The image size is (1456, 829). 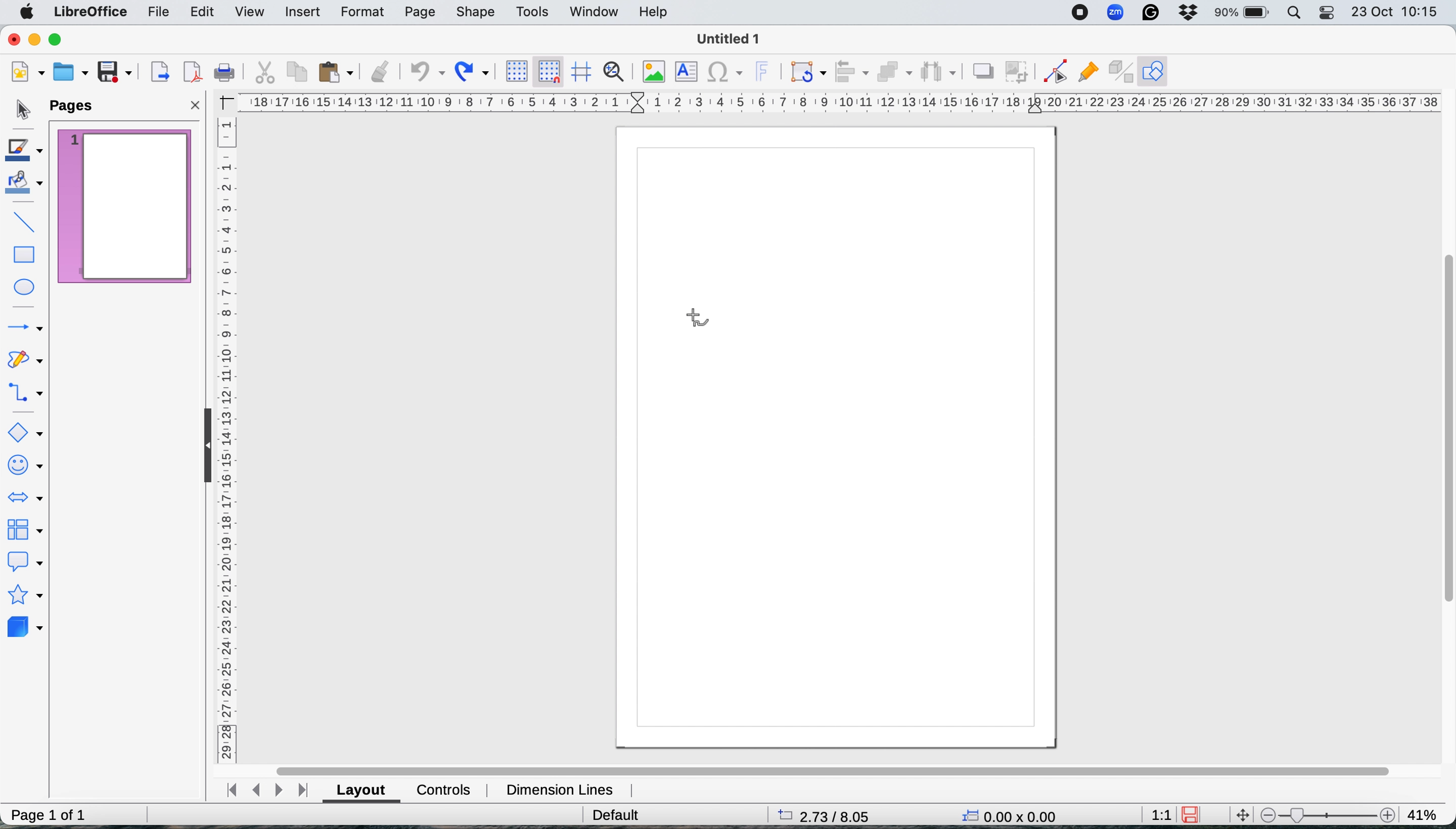 What do you see at coordinates (827, 766) in the screenshot?
I see `horiztonal scroll bar` at bounding box center [827, 766].